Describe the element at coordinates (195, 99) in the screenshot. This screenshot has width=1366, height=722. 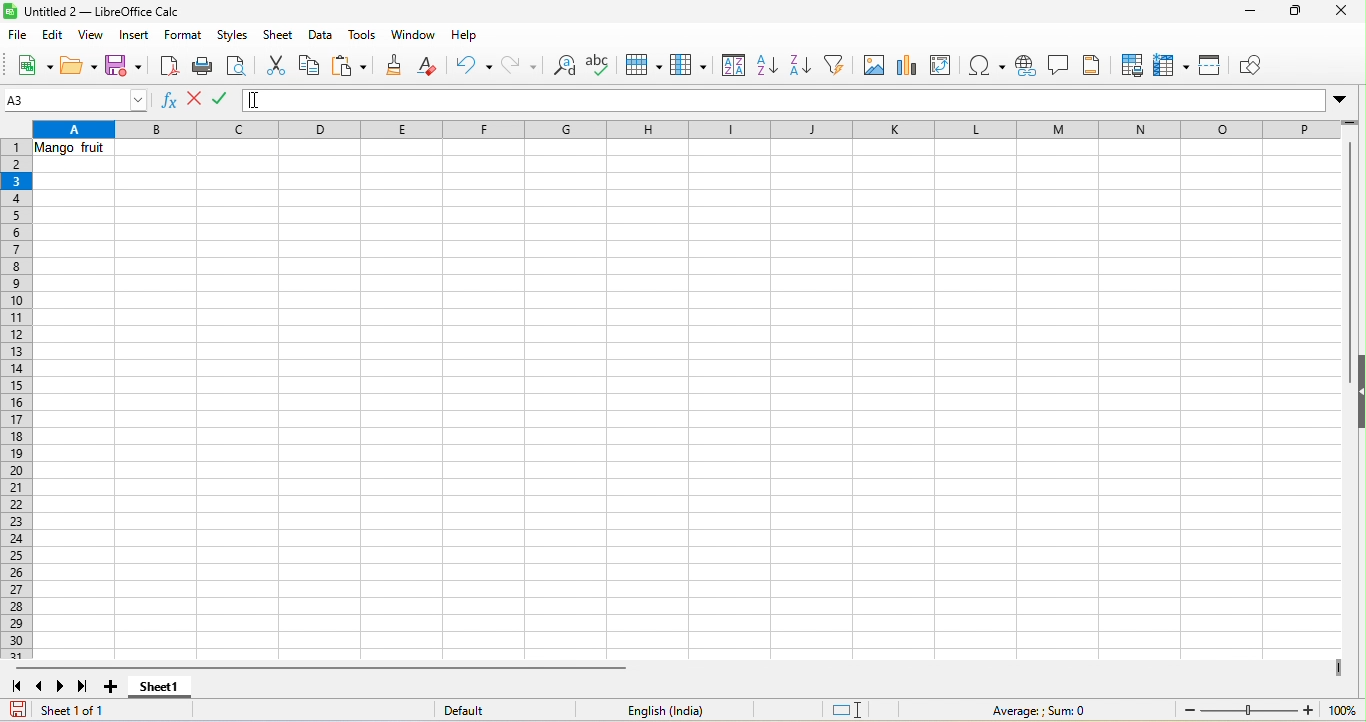
I see `cancel` at that location.